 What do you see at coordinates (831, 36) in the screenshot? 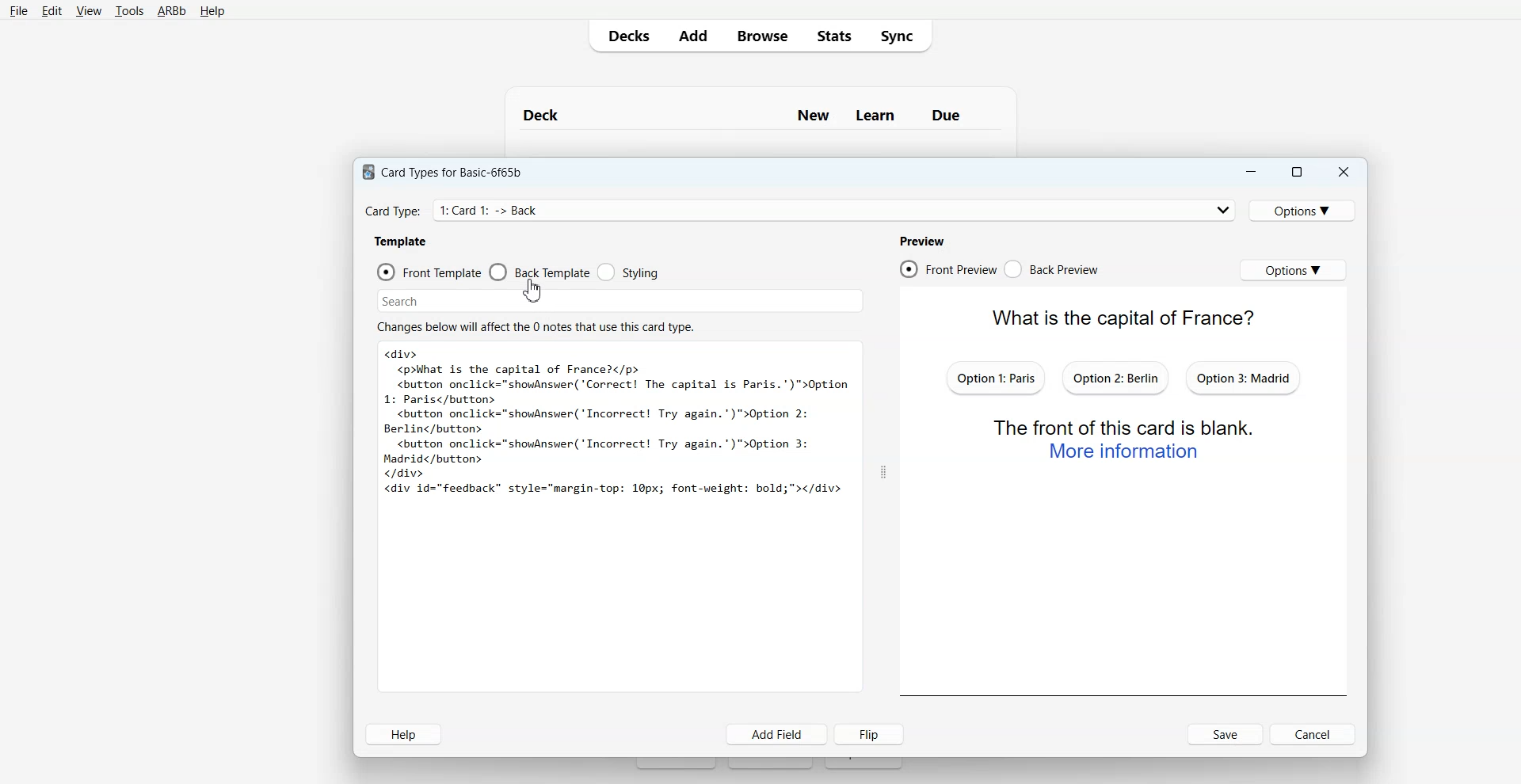
I see `Stats` at bounding box center [831, 36].